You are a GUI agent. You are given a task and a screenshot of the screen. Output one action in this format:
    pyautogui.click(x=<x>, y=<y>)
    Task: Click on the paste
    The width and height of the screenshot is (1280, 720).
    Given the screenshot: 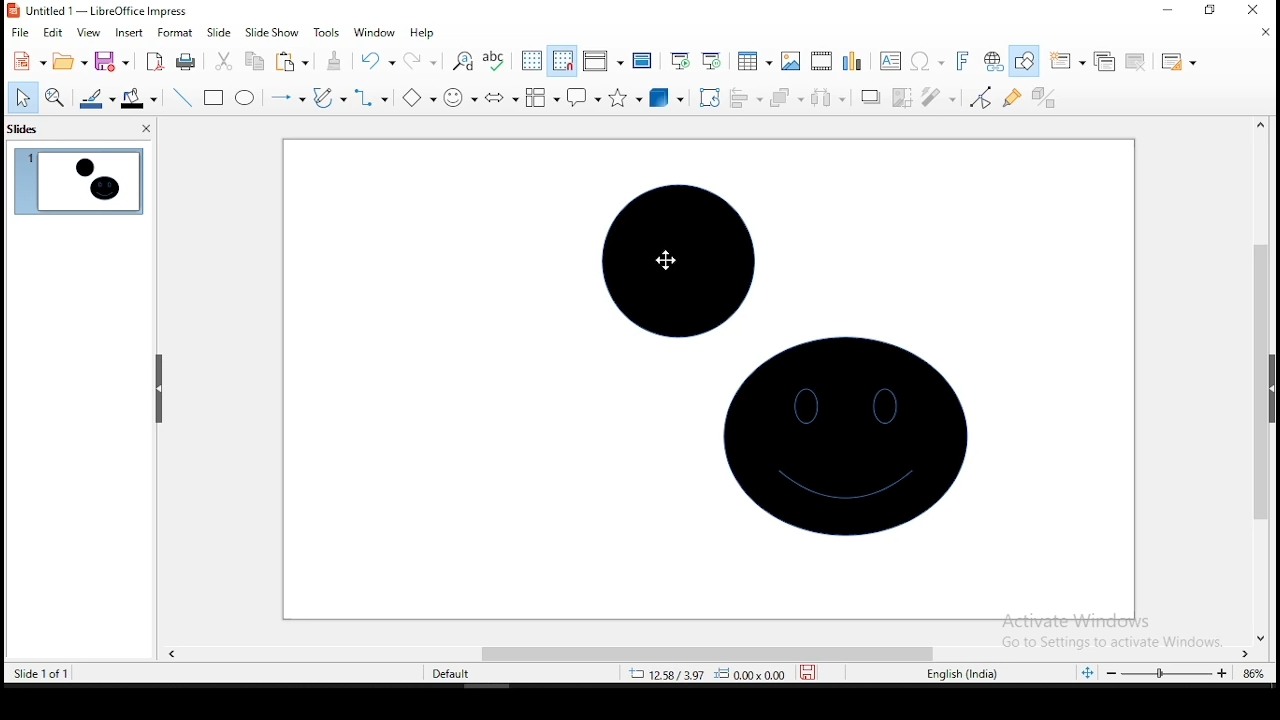 What is the action you would take?
    pyautogui.click(x=292, y=63)
    